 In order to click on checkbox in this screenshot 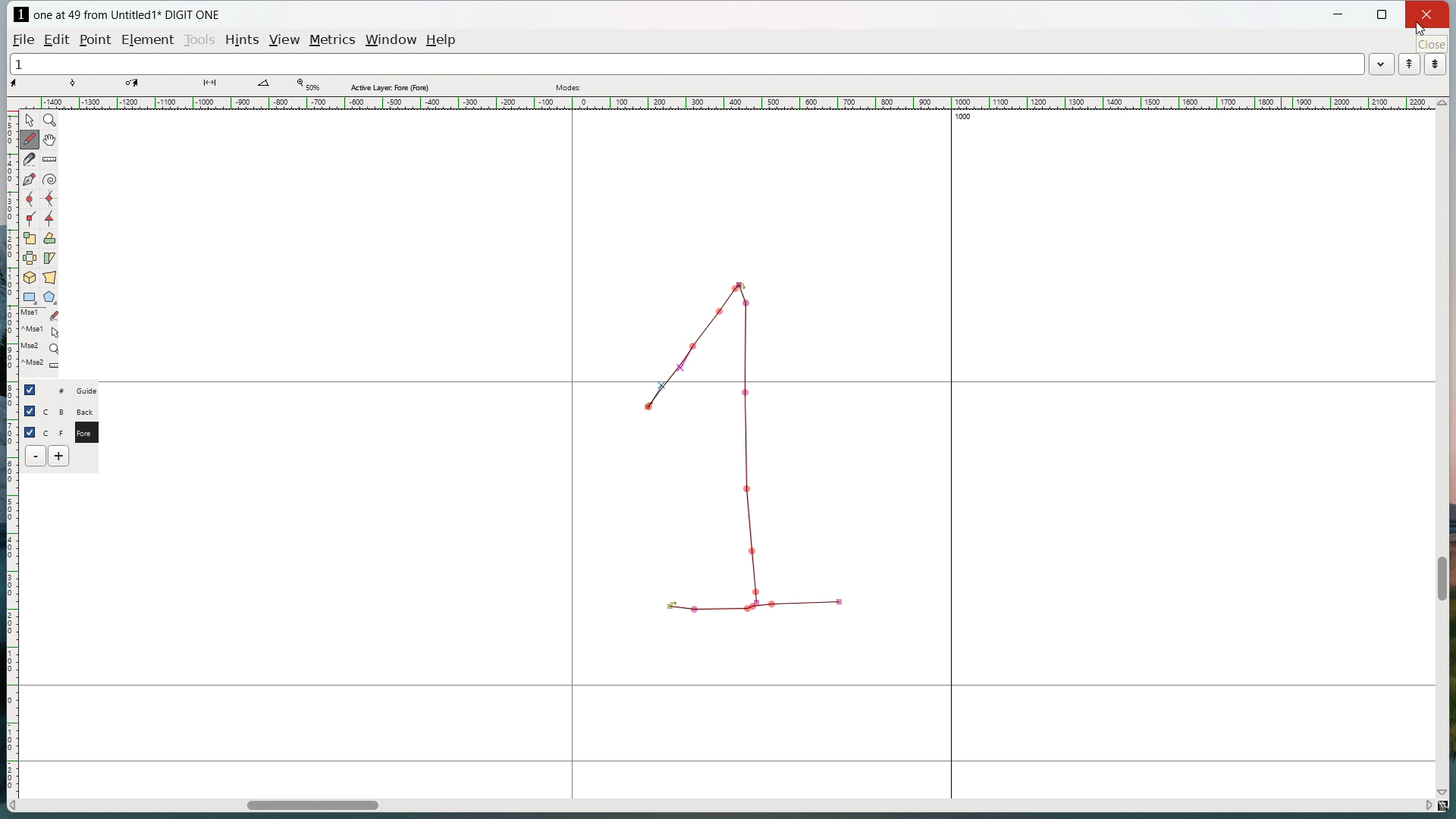, I will do `click(30, 431)`.